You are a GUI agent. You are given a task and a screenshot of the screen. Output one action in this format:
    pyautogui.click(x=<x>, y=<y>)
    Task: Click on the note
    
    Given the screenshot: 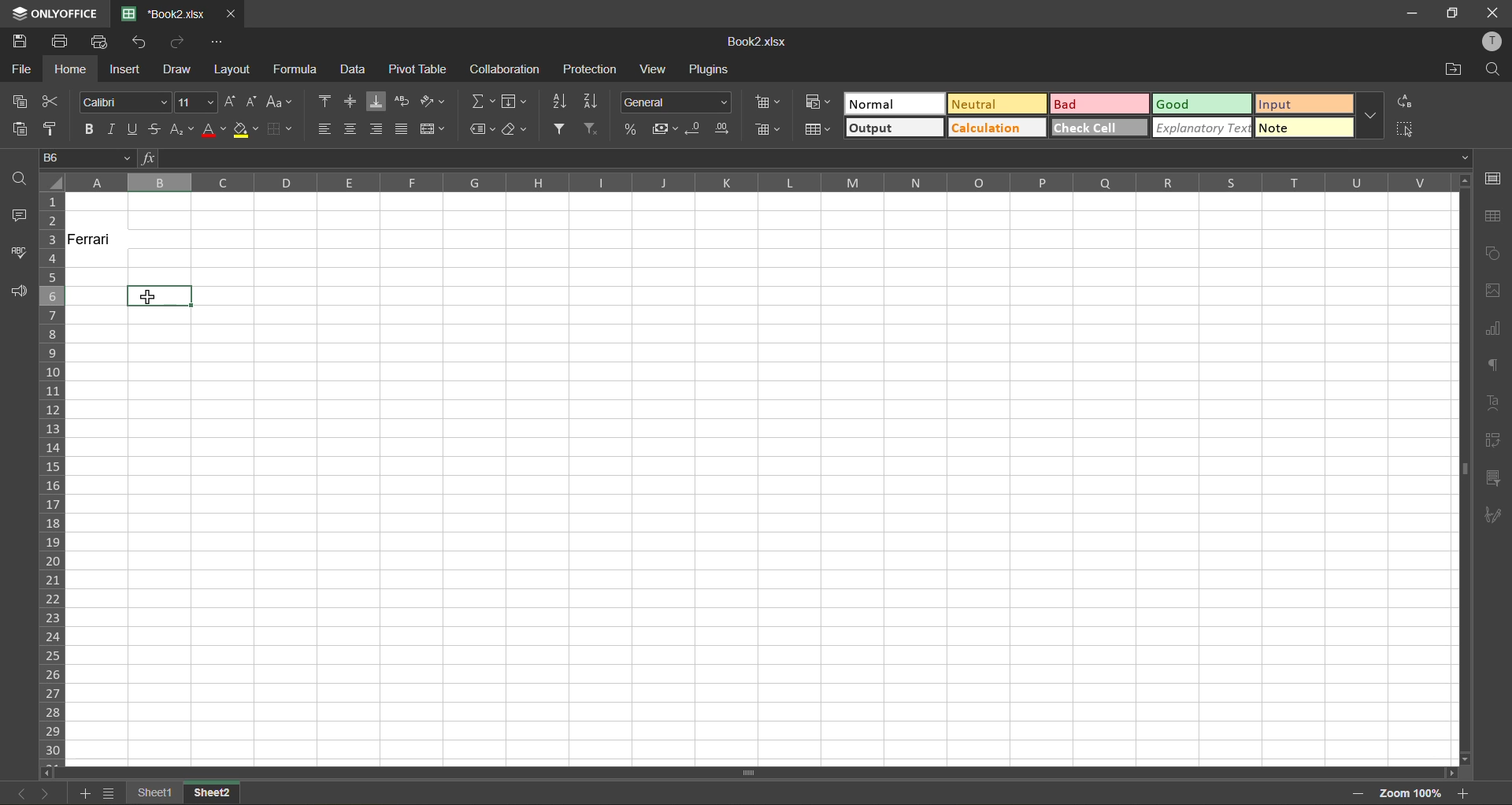 What is the action you would take?
    pyautogui.click(x=1304, y=127)
    